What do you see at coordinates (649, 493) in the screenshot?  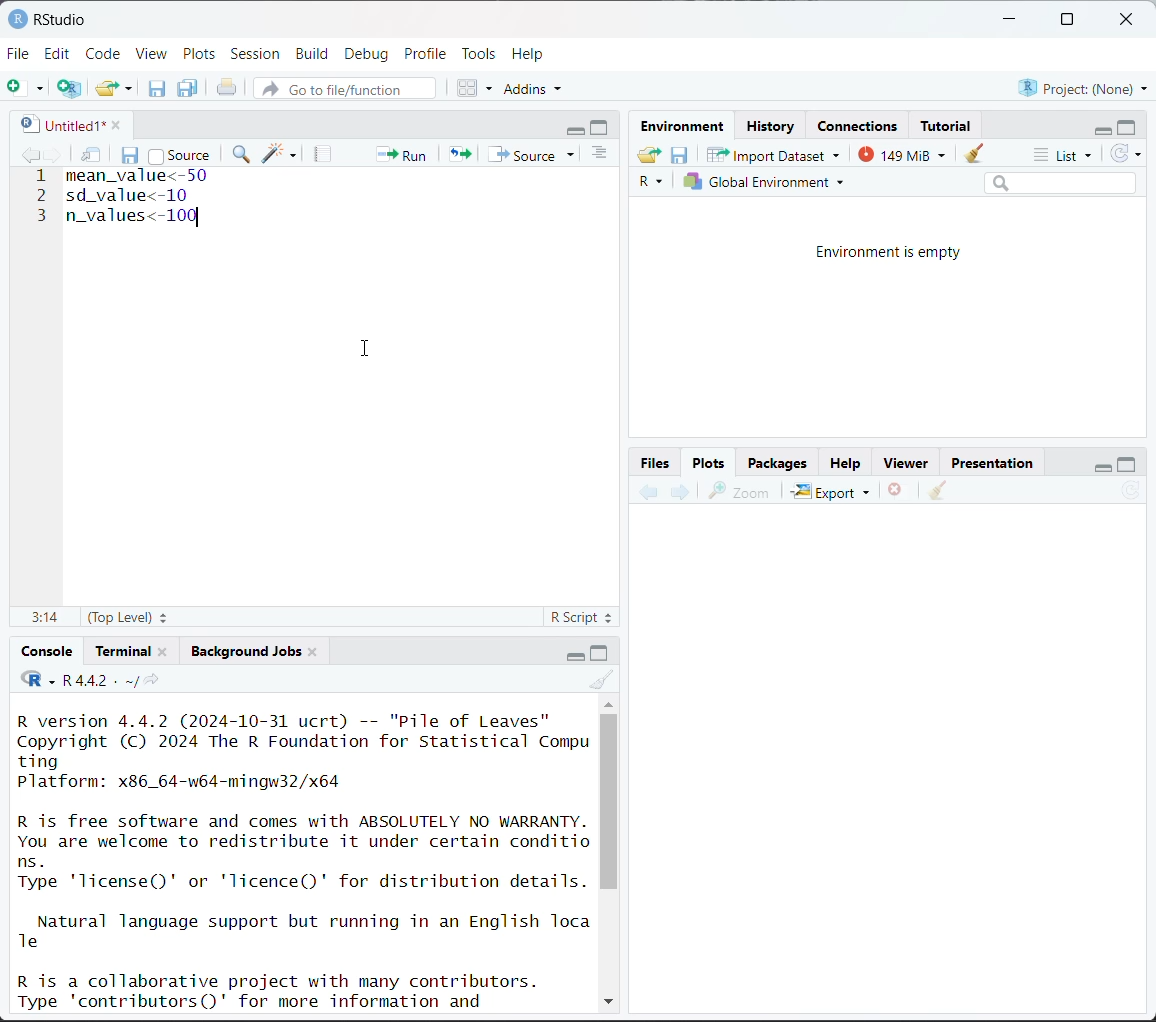 I see `previous plot` at bounding box center [649, 493].